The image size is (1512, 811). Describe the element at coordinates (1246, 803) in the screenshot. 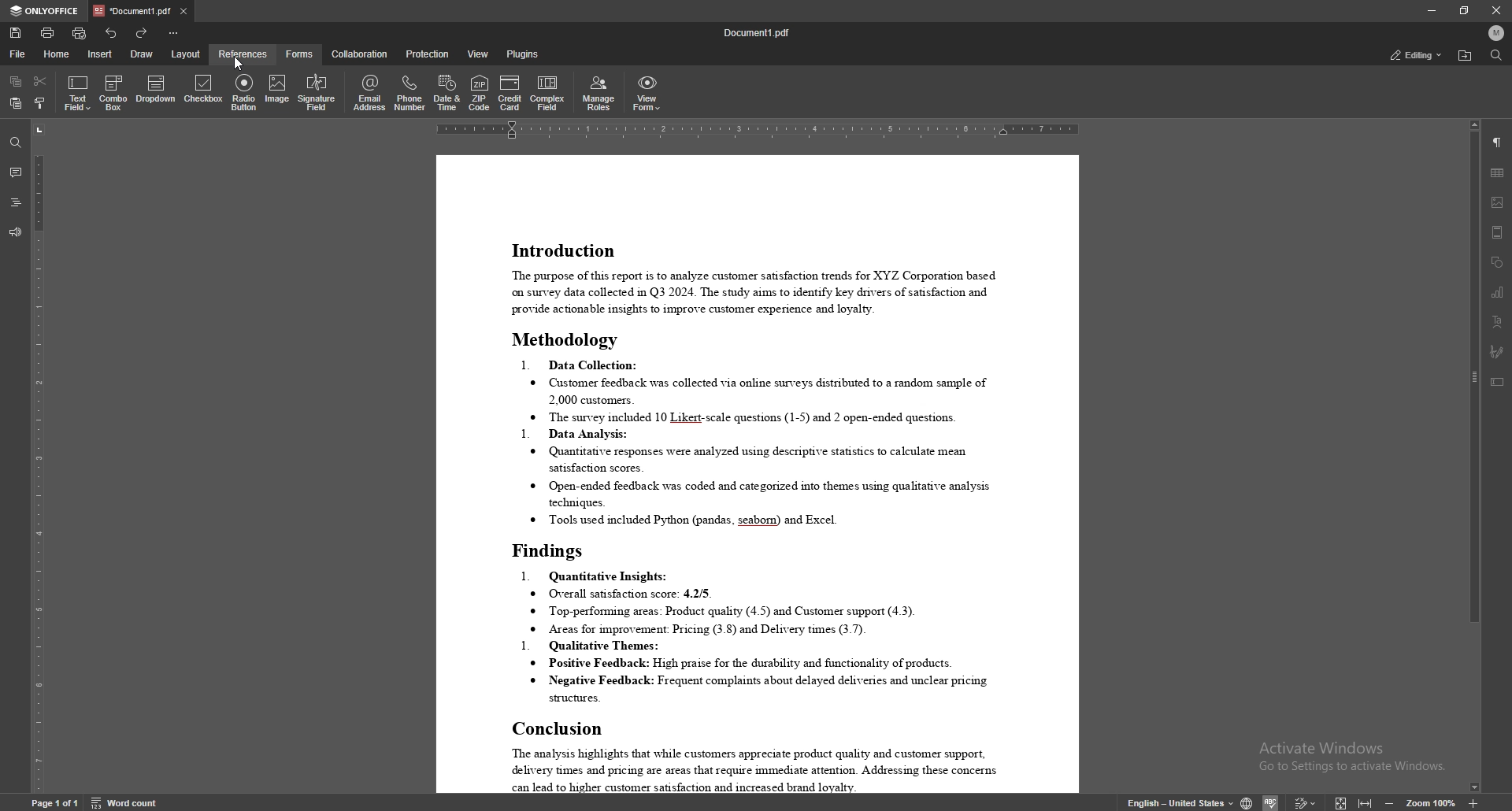

I see `change doc language` at that location.